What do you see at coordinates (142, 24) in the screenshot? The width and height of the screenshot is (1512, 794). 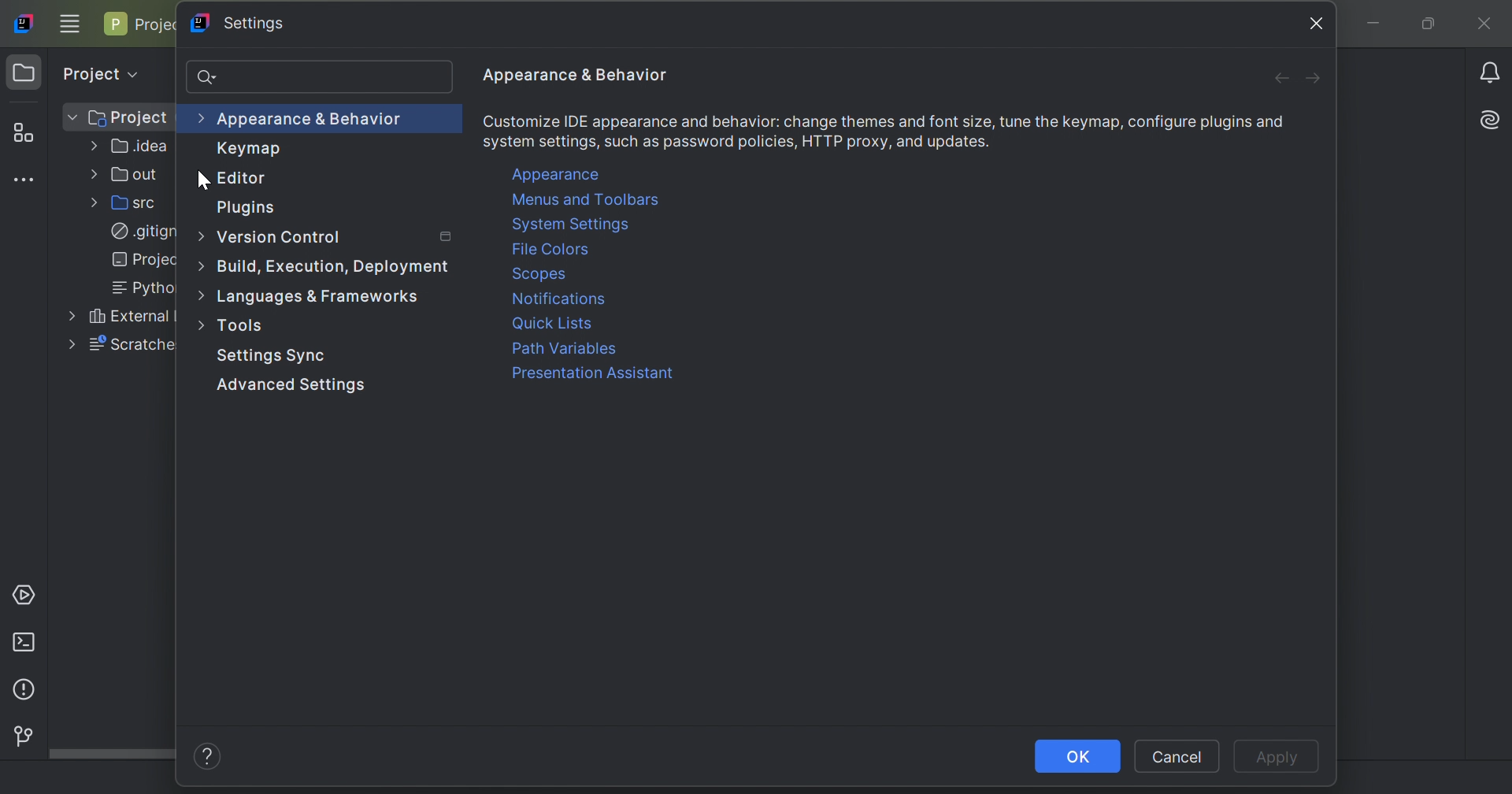 I see `Project` at bounding box center [142, 24].